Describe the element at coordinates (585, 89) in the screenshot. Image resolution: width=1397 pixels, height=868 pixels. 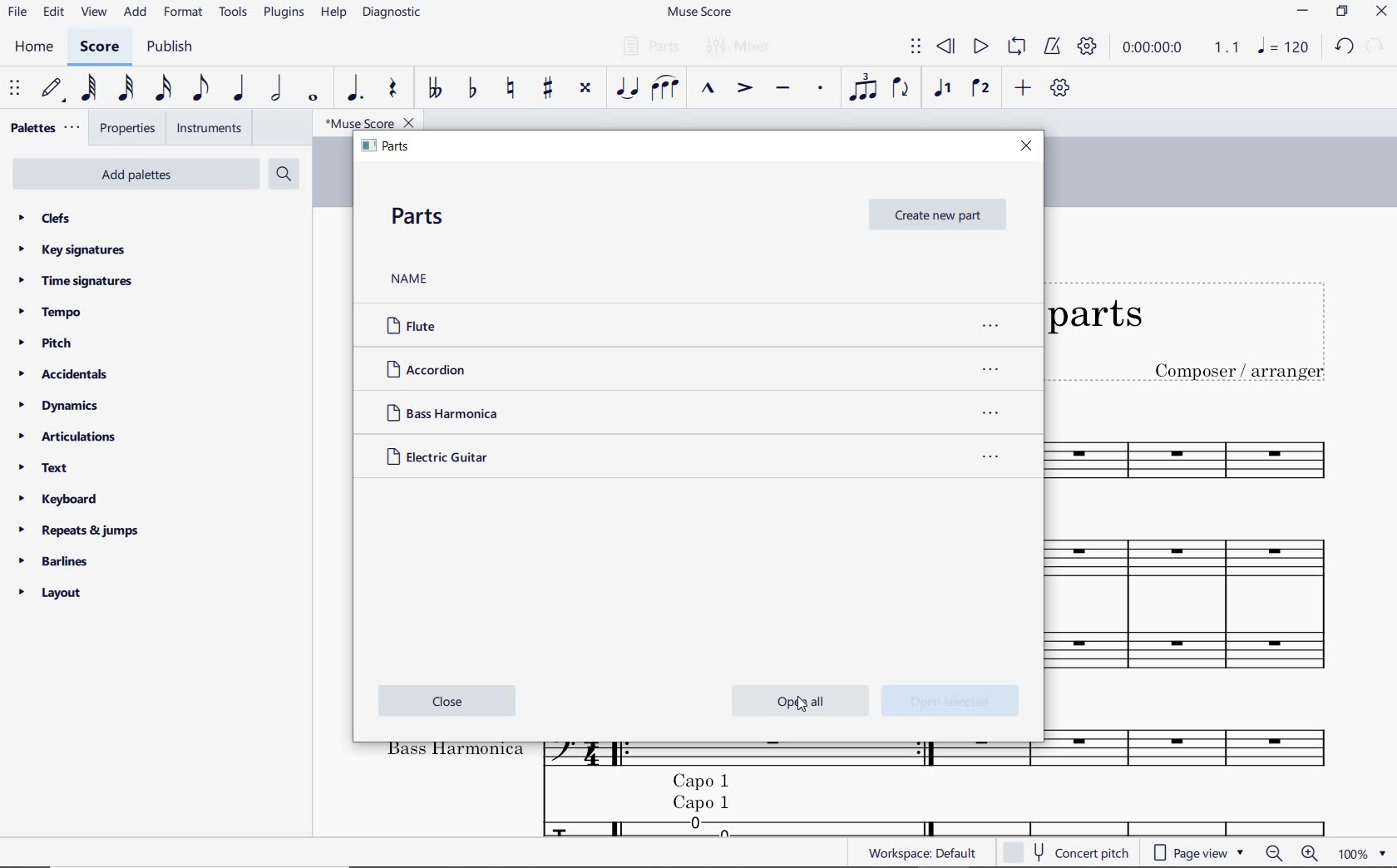
I see `toggle double-sharp` at that location.